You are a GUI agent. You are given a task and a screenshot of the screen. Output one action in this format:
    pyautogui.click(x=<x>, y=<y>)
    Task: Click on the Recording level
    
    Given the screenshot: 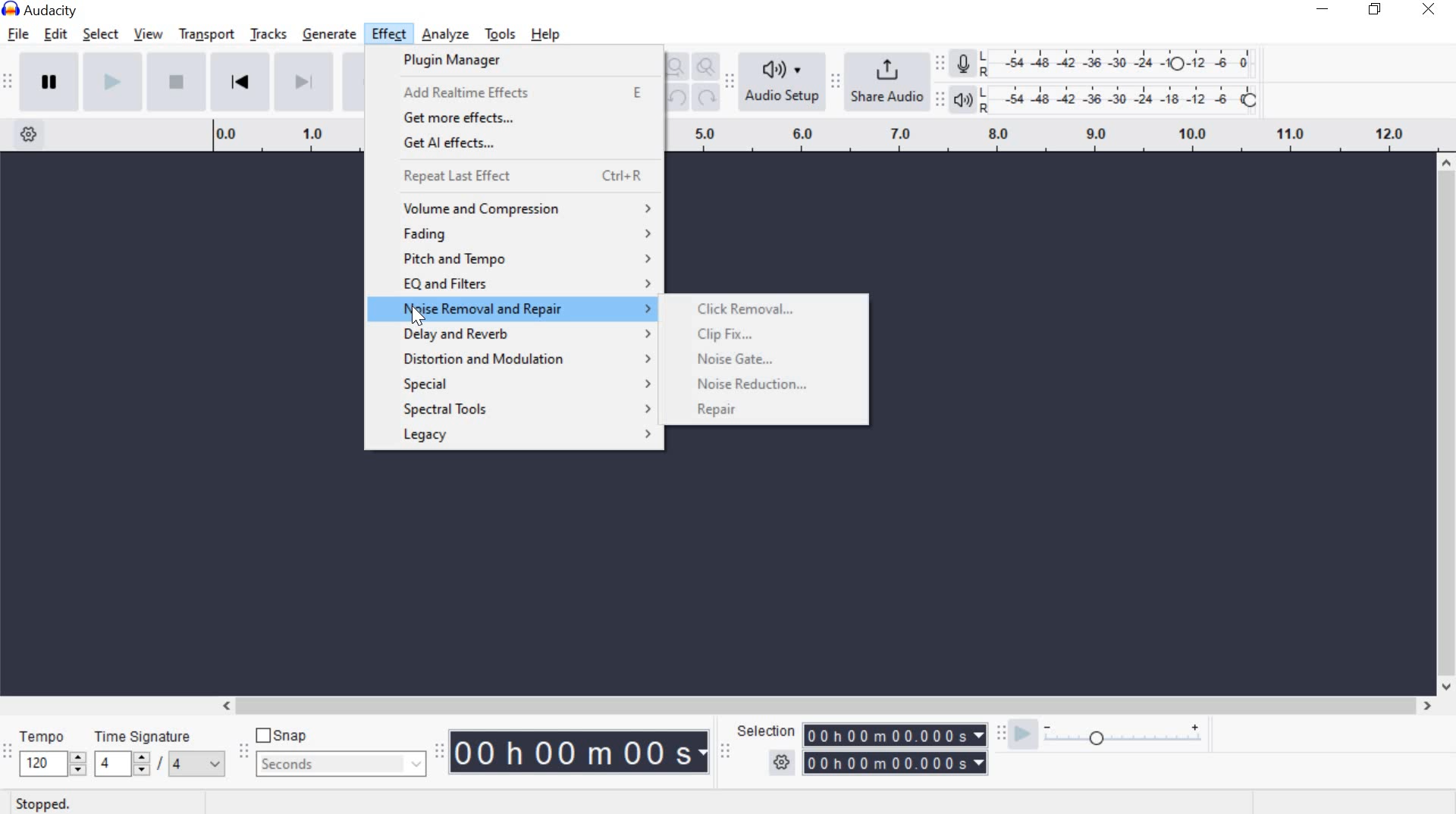 What is the action you would take?
    pyautogui.click(x=1123, y=61)
    